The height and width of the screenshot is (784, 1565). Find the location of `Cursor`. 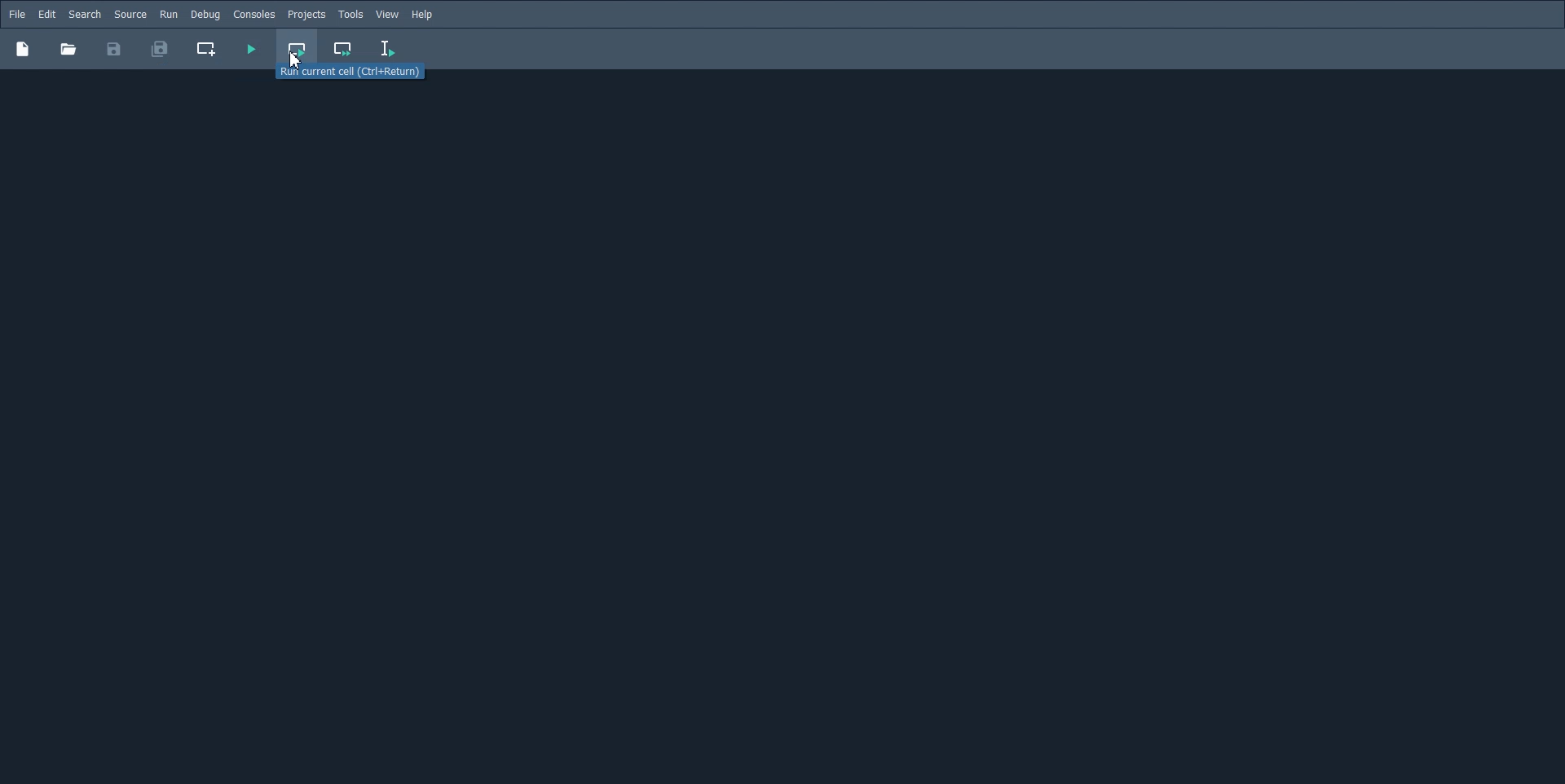

Cursor is located at coordinates (295, 59).